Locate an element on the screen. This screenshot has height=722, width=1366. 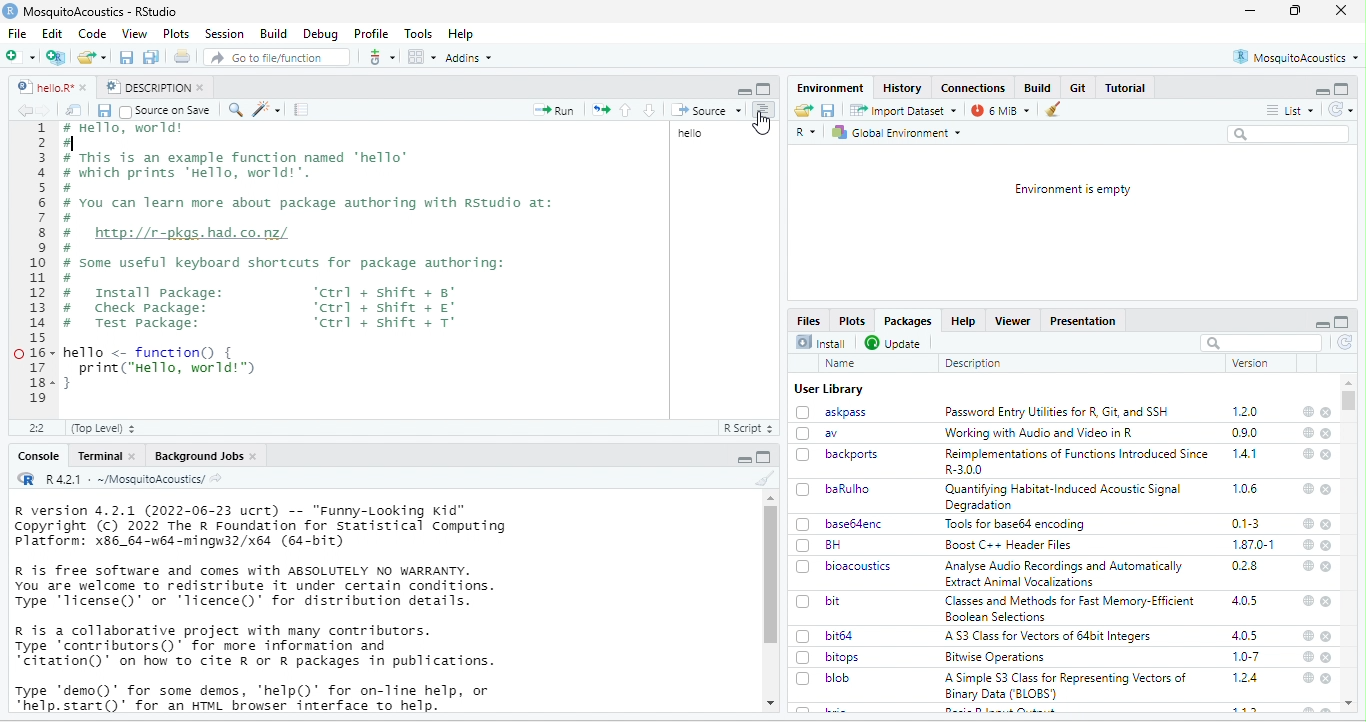
Terminal is located at coordinates (105, 455).